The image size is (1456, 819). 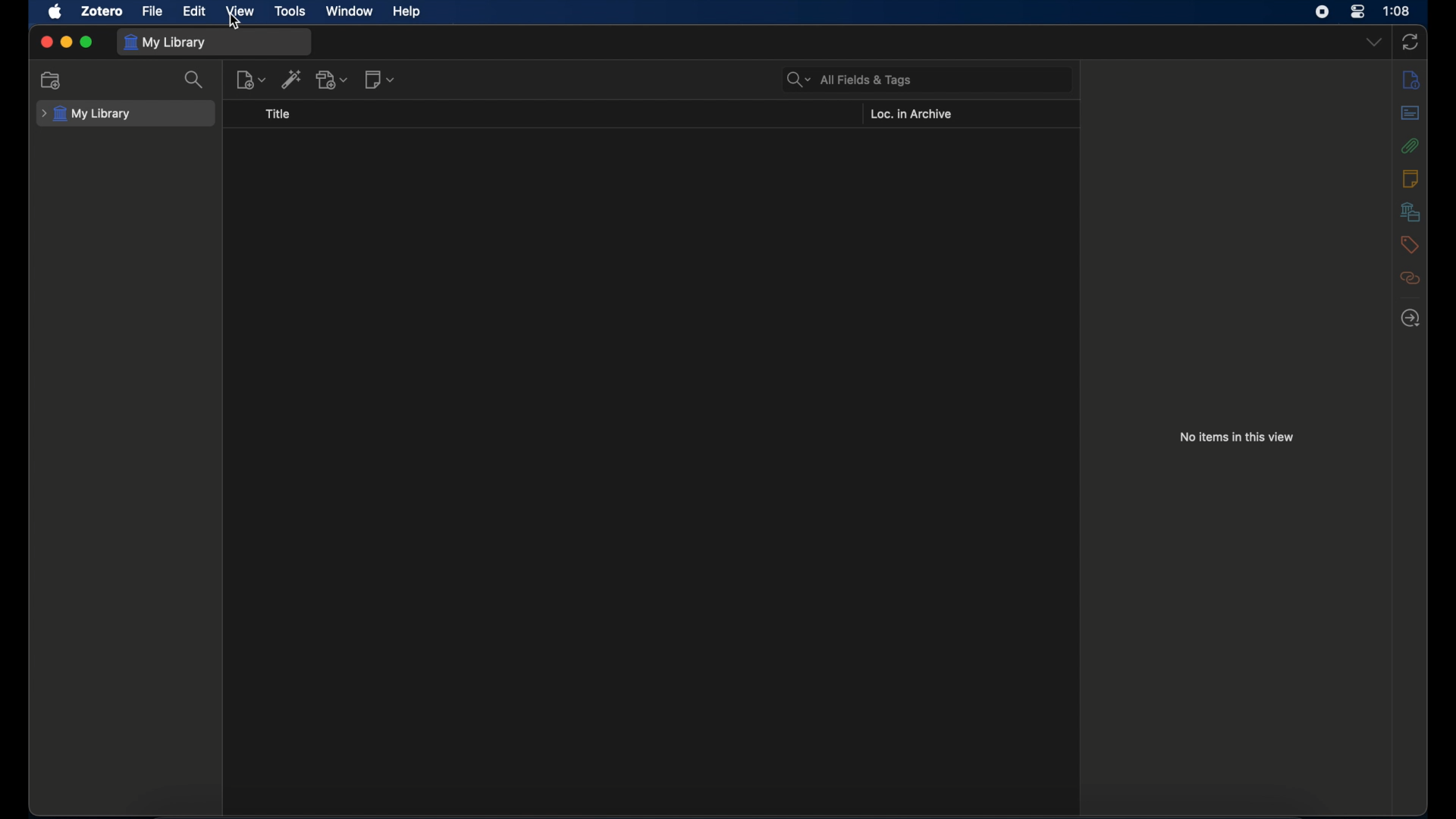 I want to click on new item, so click(x=250, y=80).